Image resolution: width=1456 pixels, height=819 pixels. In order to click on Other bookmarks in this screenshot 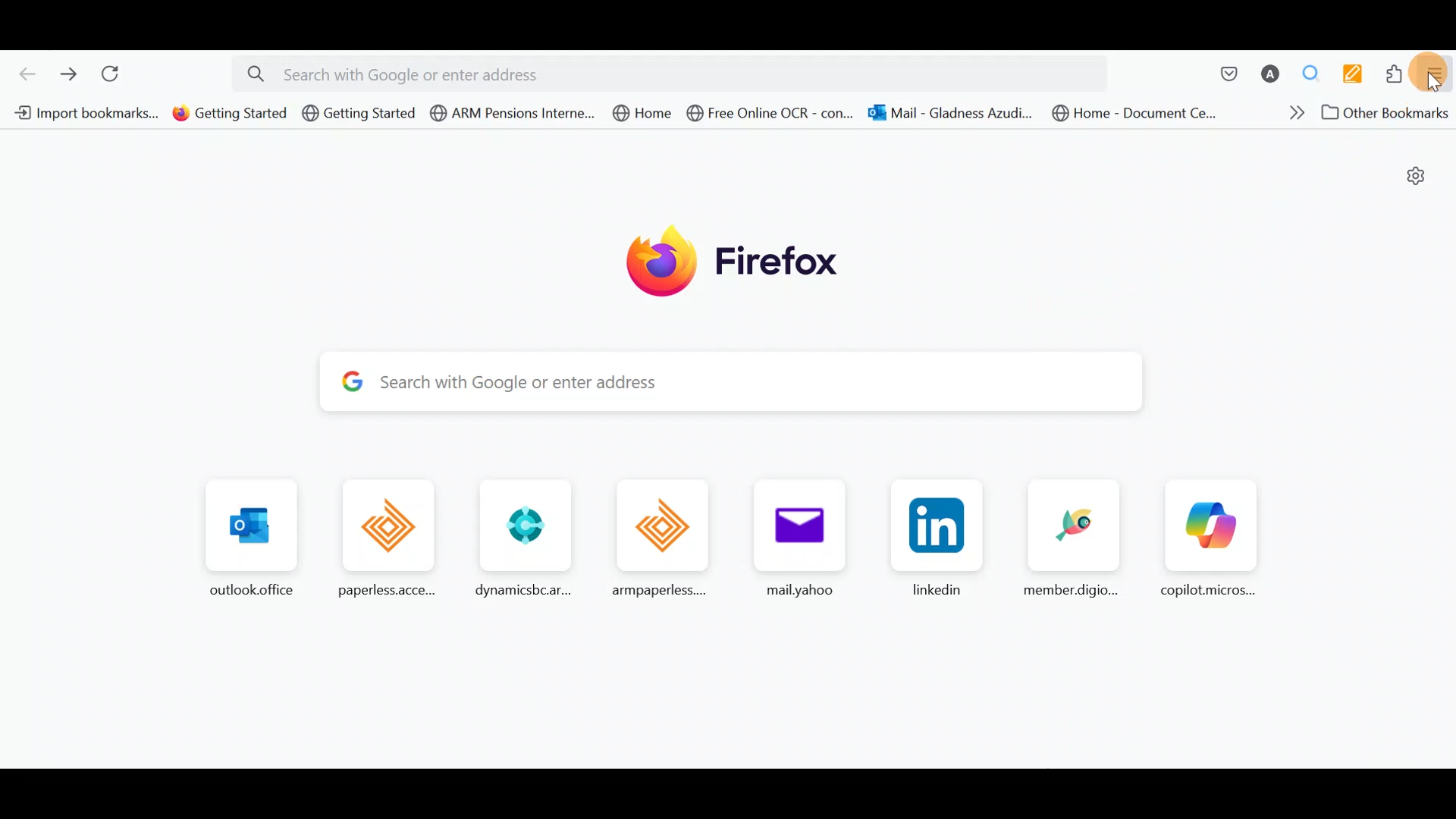, I will do `click(1389, 114)`.